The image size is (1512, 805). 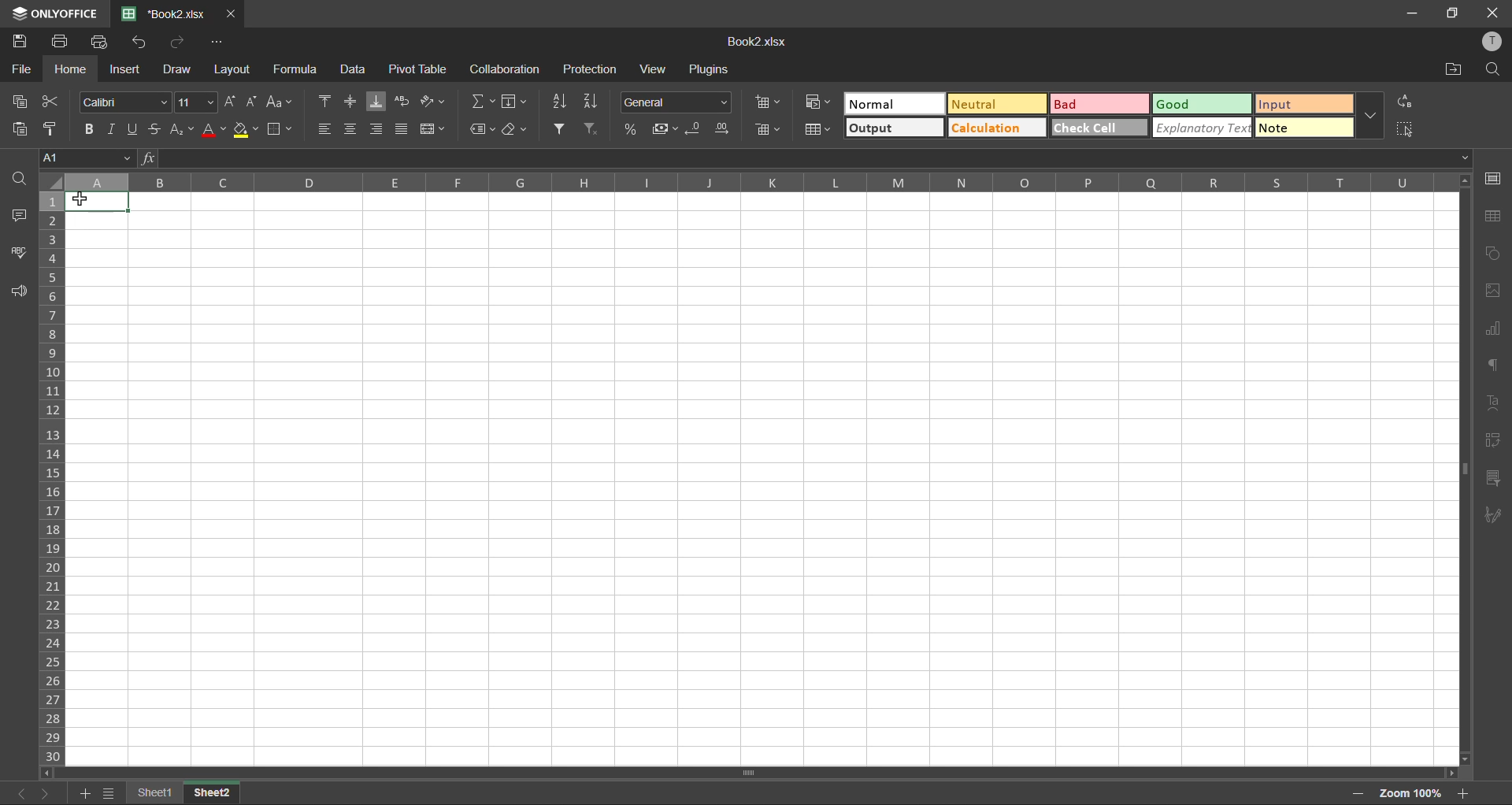 What do you see at coordinates (513, 103) in the screenshot?
I see `fields` at bounding box center [513, 103].